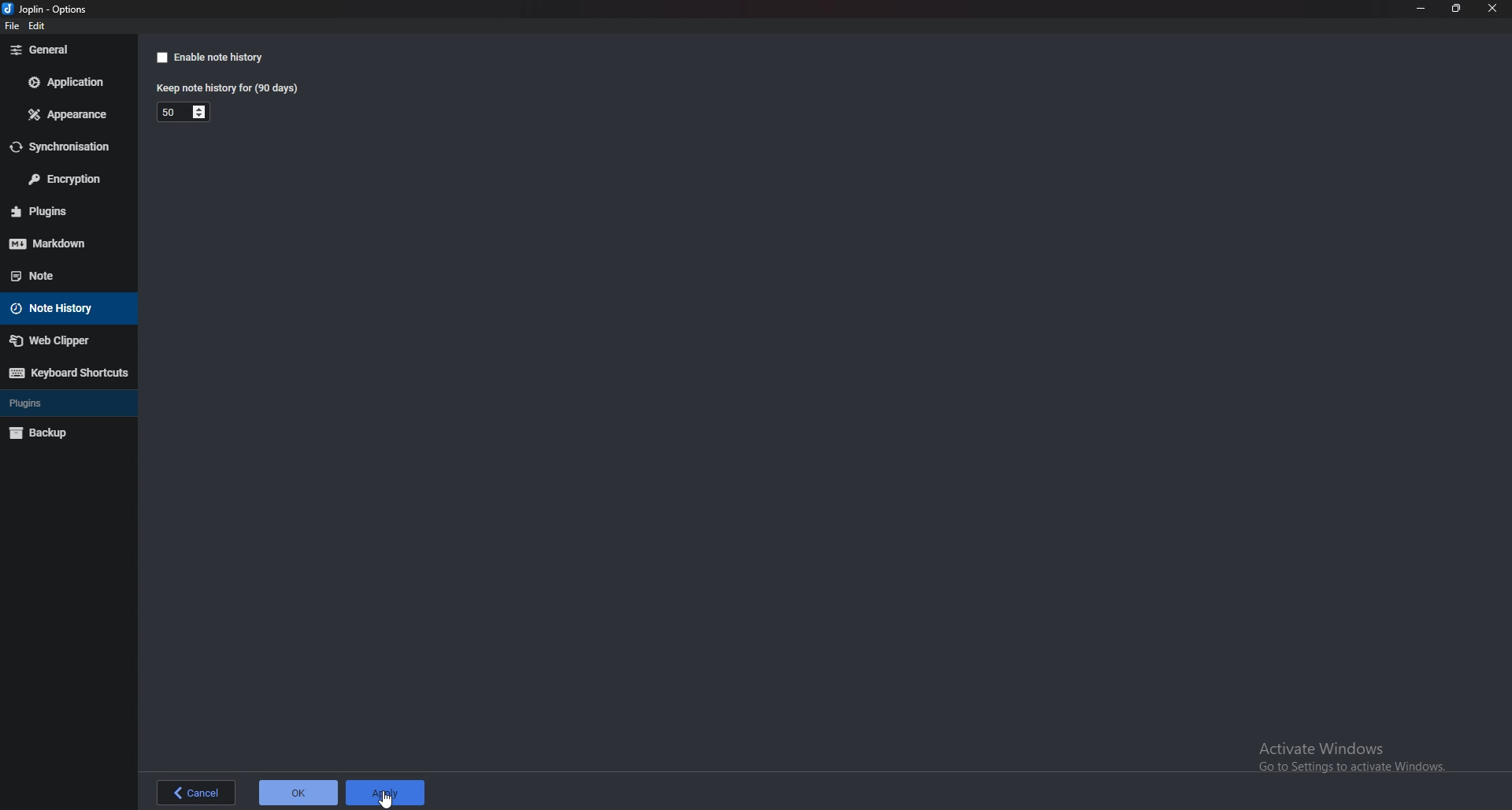  I want to click on Activate Windows
Go to Settings to activate Windows., so click(1351, 761).